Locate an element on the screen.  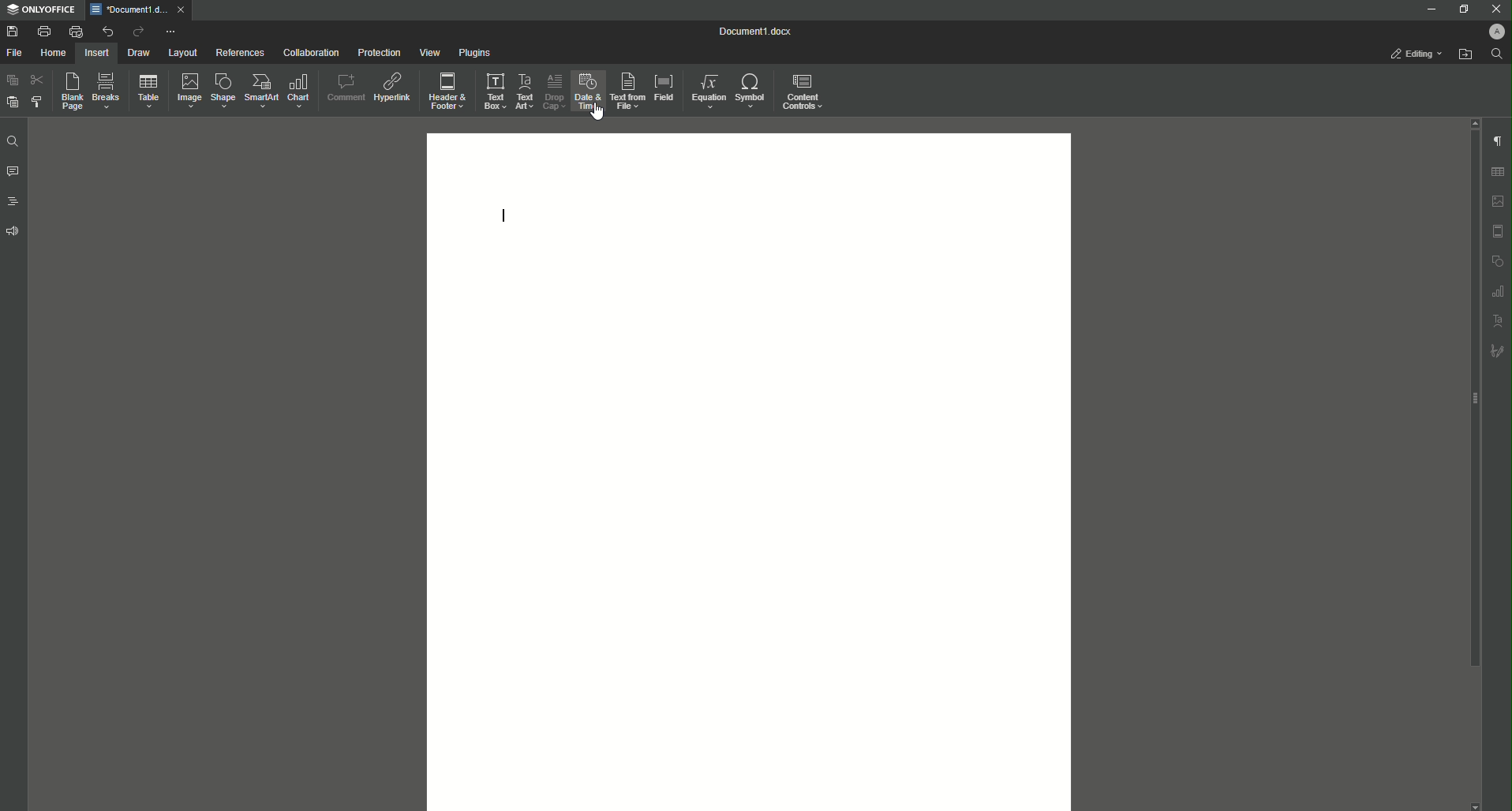
Close is located at coordinates (1495, 9).